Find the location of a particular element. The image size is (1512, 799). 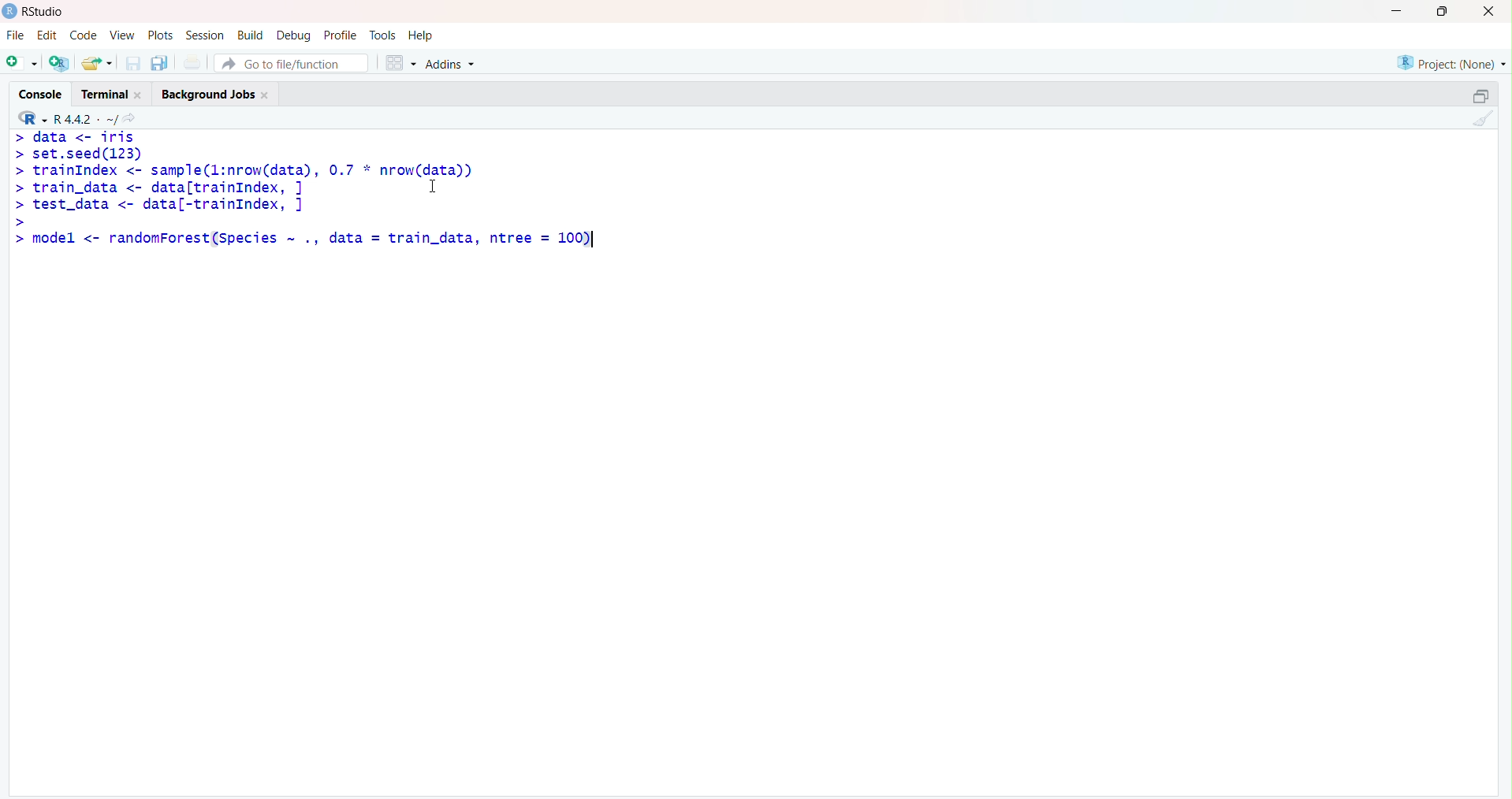

Prompt cursor is located at coordinates (18, 137).